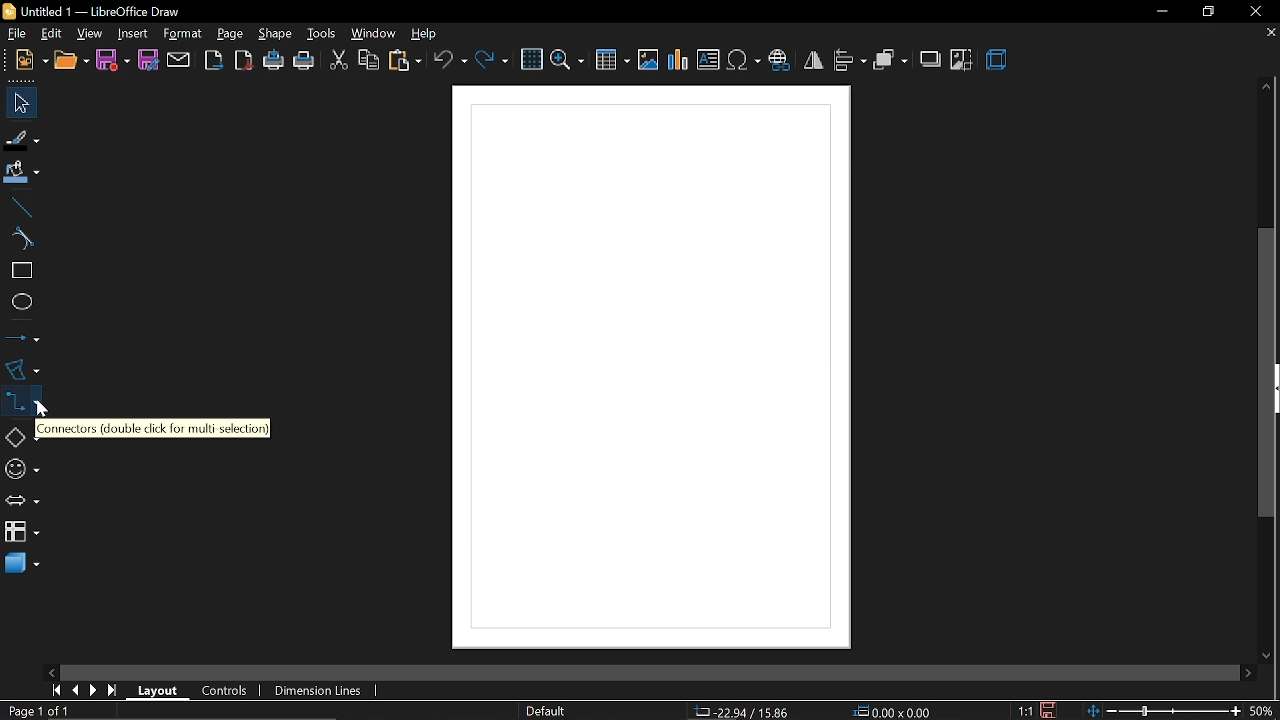 This screenshot has height=720, width=1280. What do you see at coordinates (19, 499) in the screenshot?
I see `arrows` at bounding box center [19, 499].